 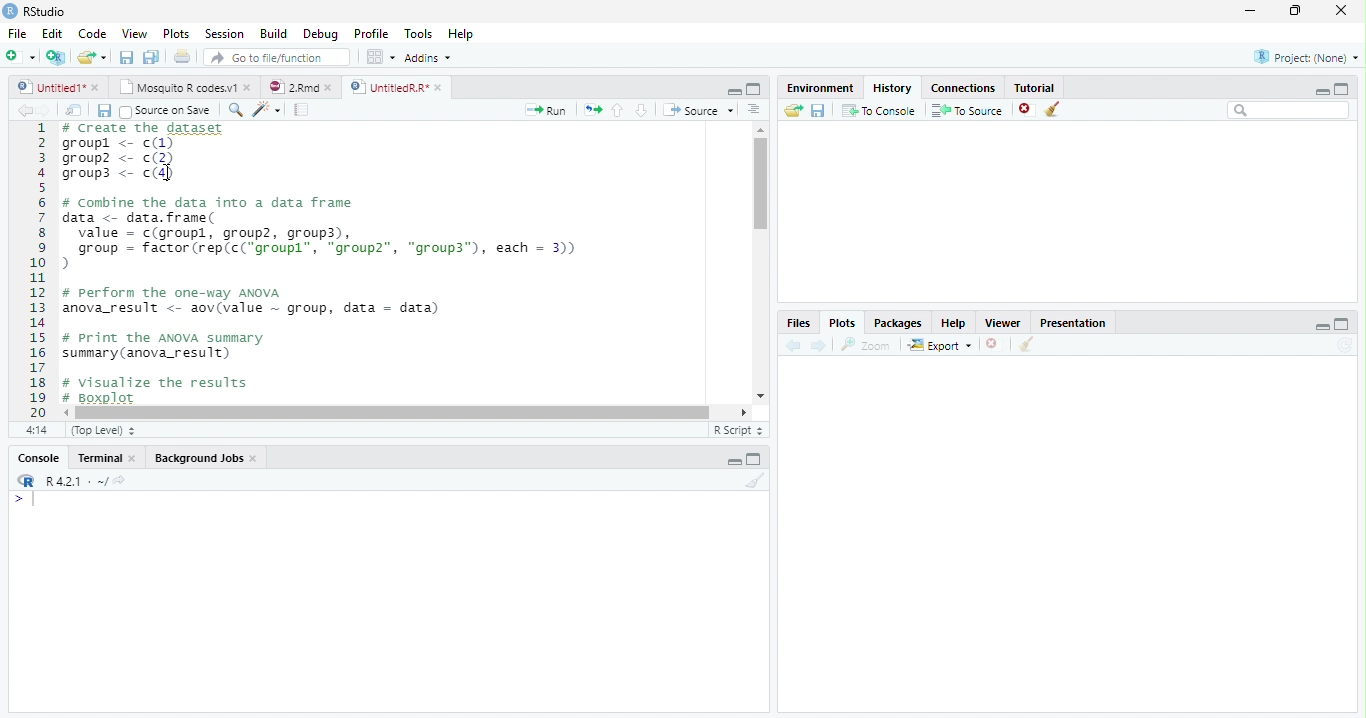 I want to click on Mosquito R codes, so click(x=184, y=87).